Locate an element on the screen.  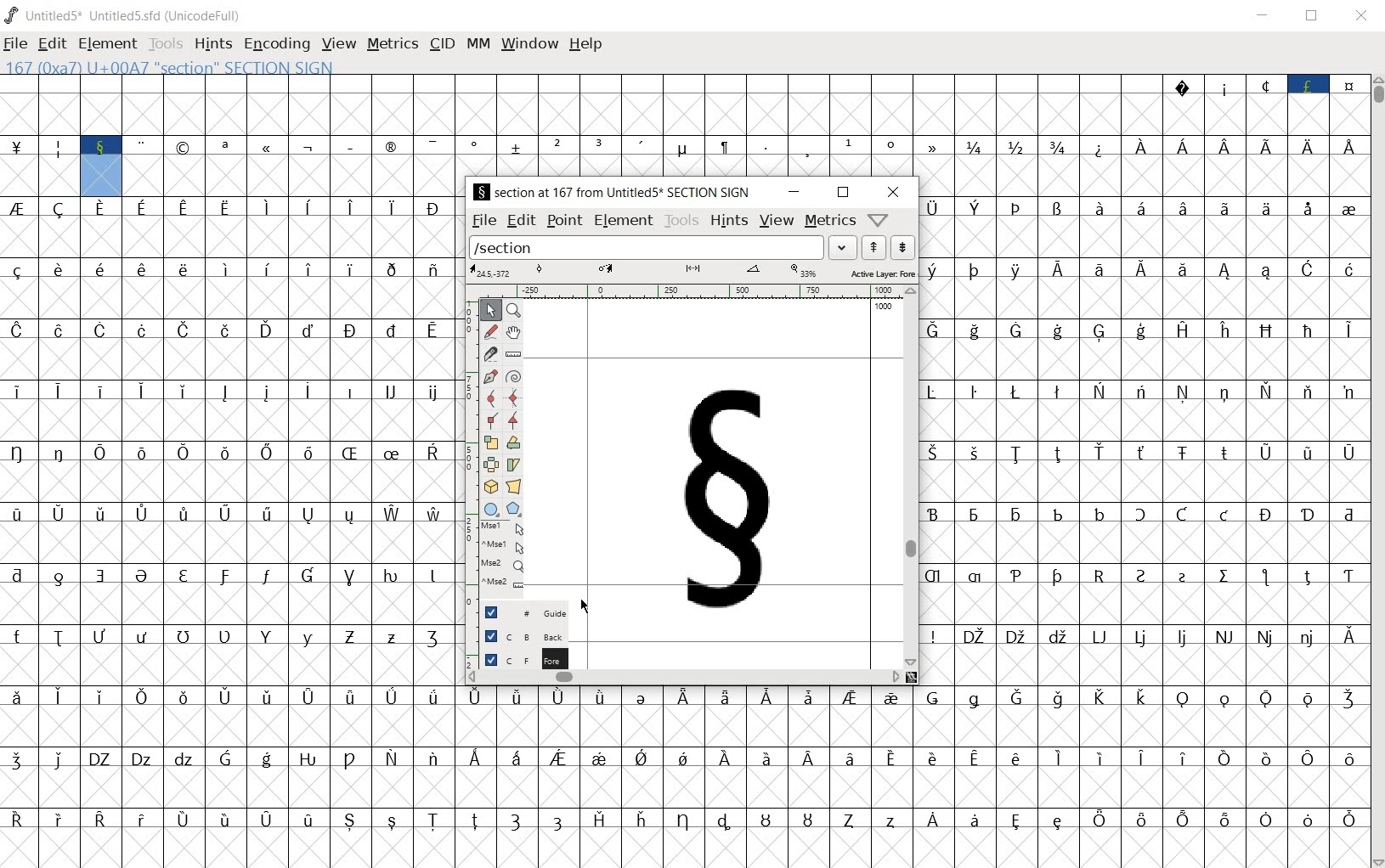
cursor is located at coordinates (585, 605).